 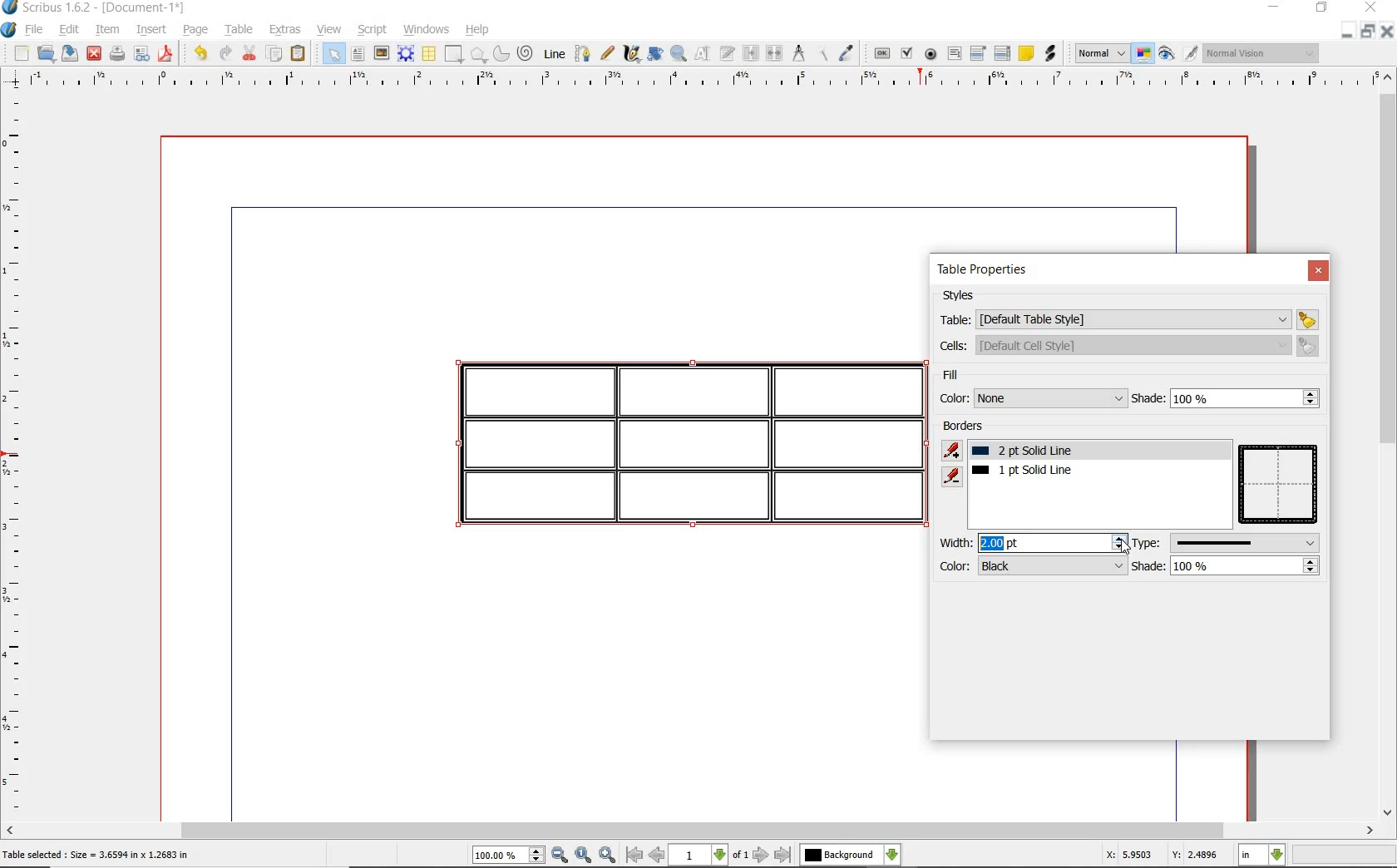 What do you see at coordinates (1281, 486) in the screenshot?
I see `table preview` at bounding box center [1281, 486].